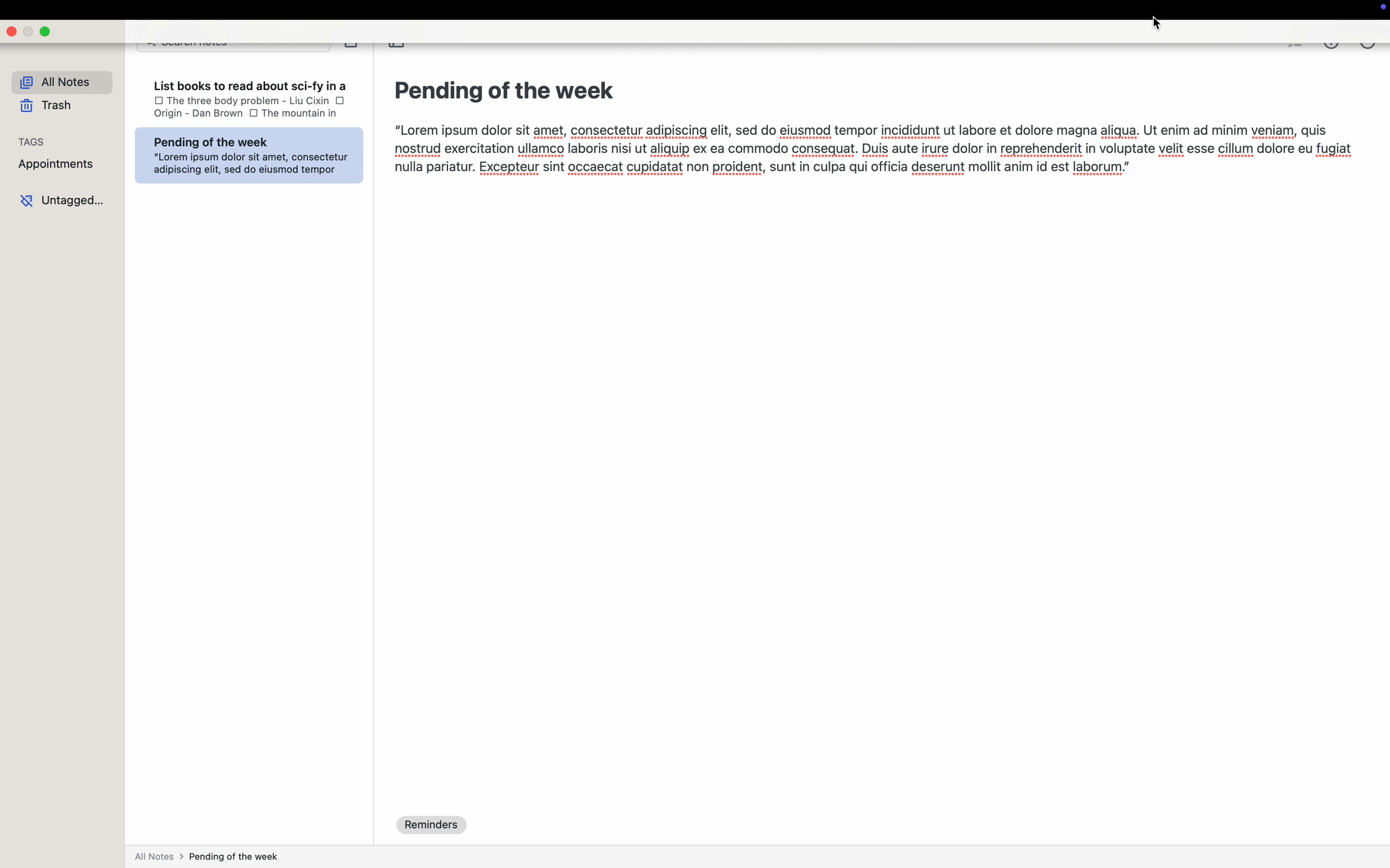 The image size is (1390, 868). I want to click on tags, so click(36, 144).